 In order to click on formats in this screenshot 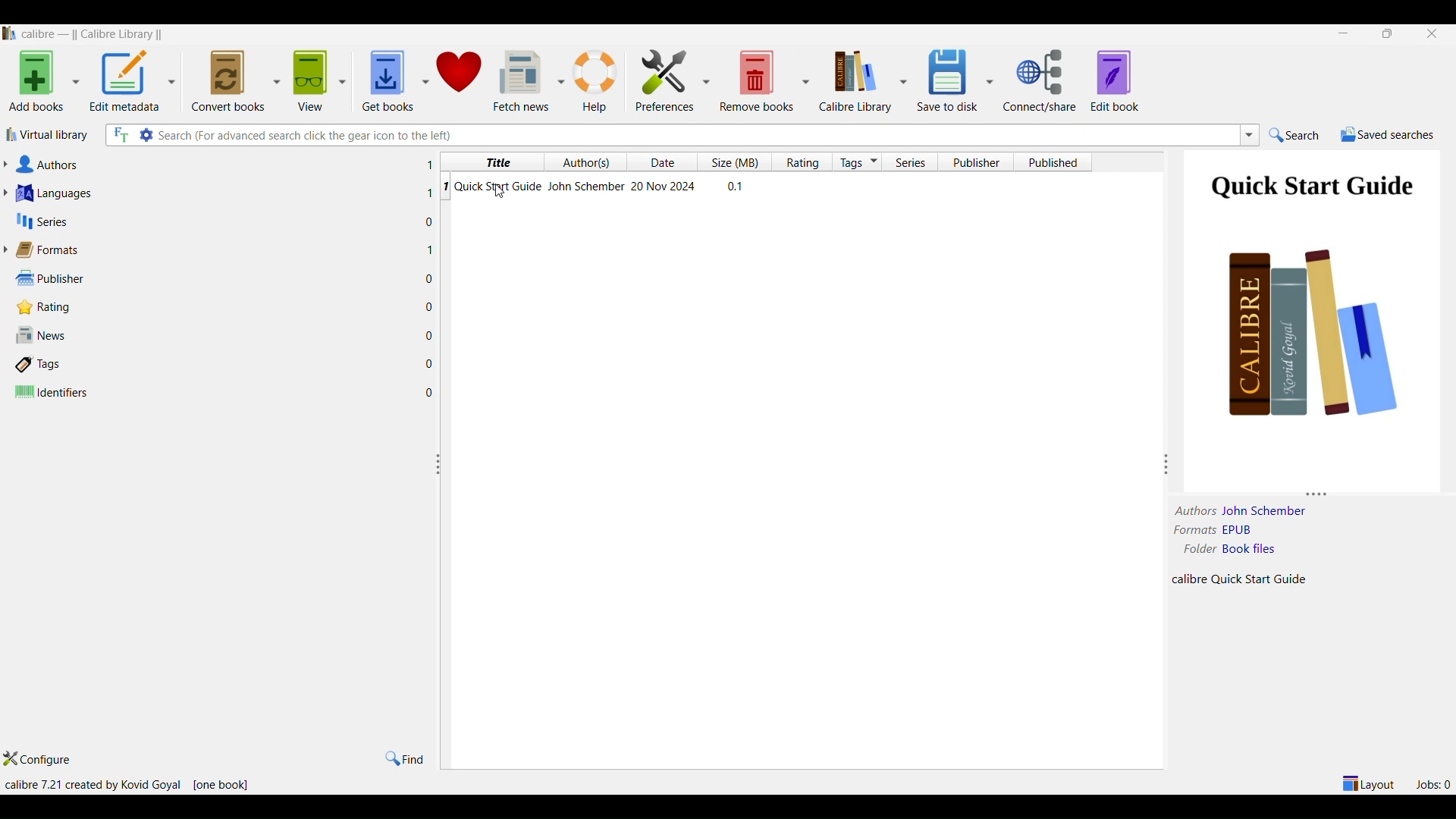, I will do `click(1194, 531)`.